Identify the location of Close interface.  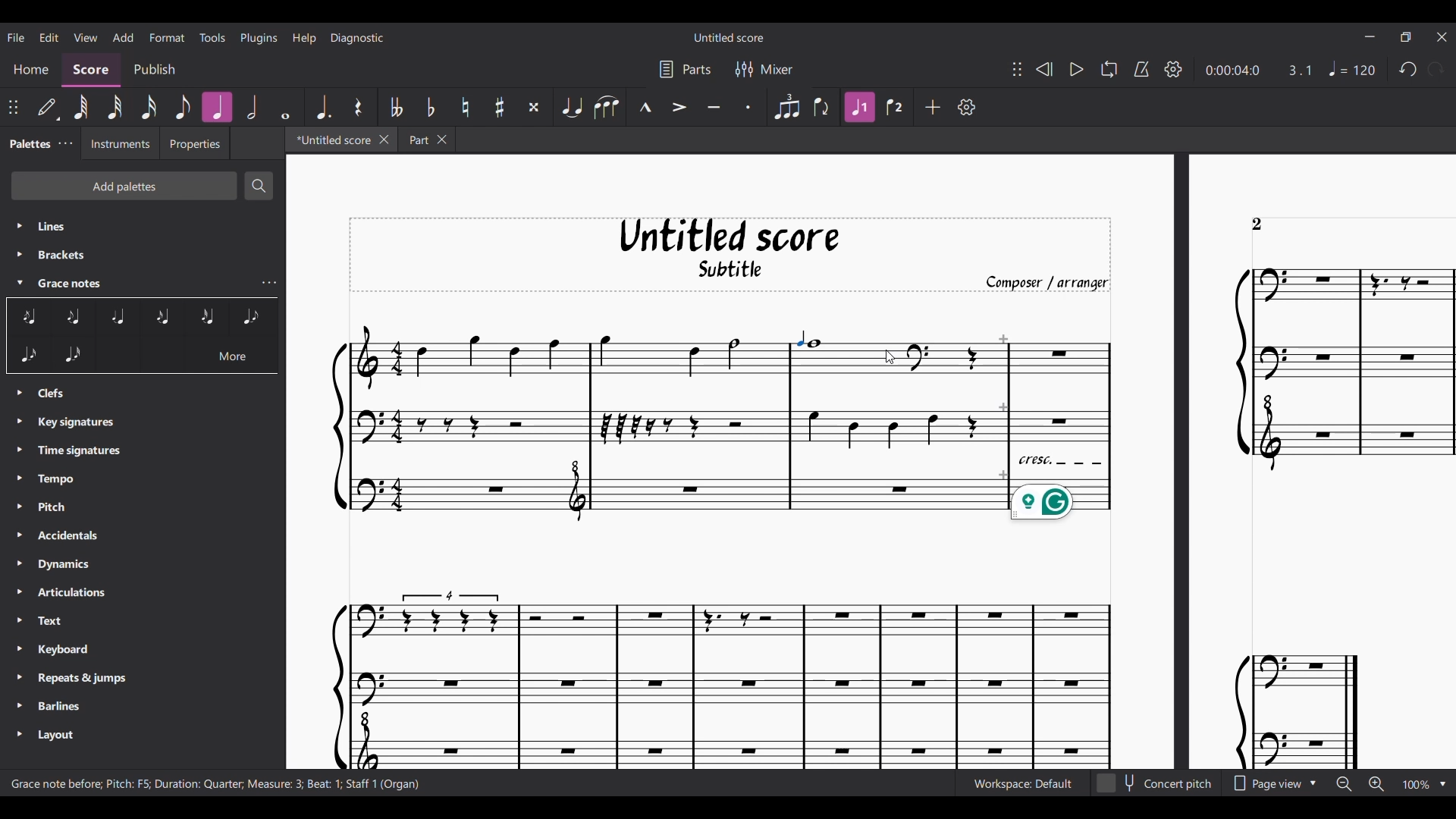
(1442, 37).